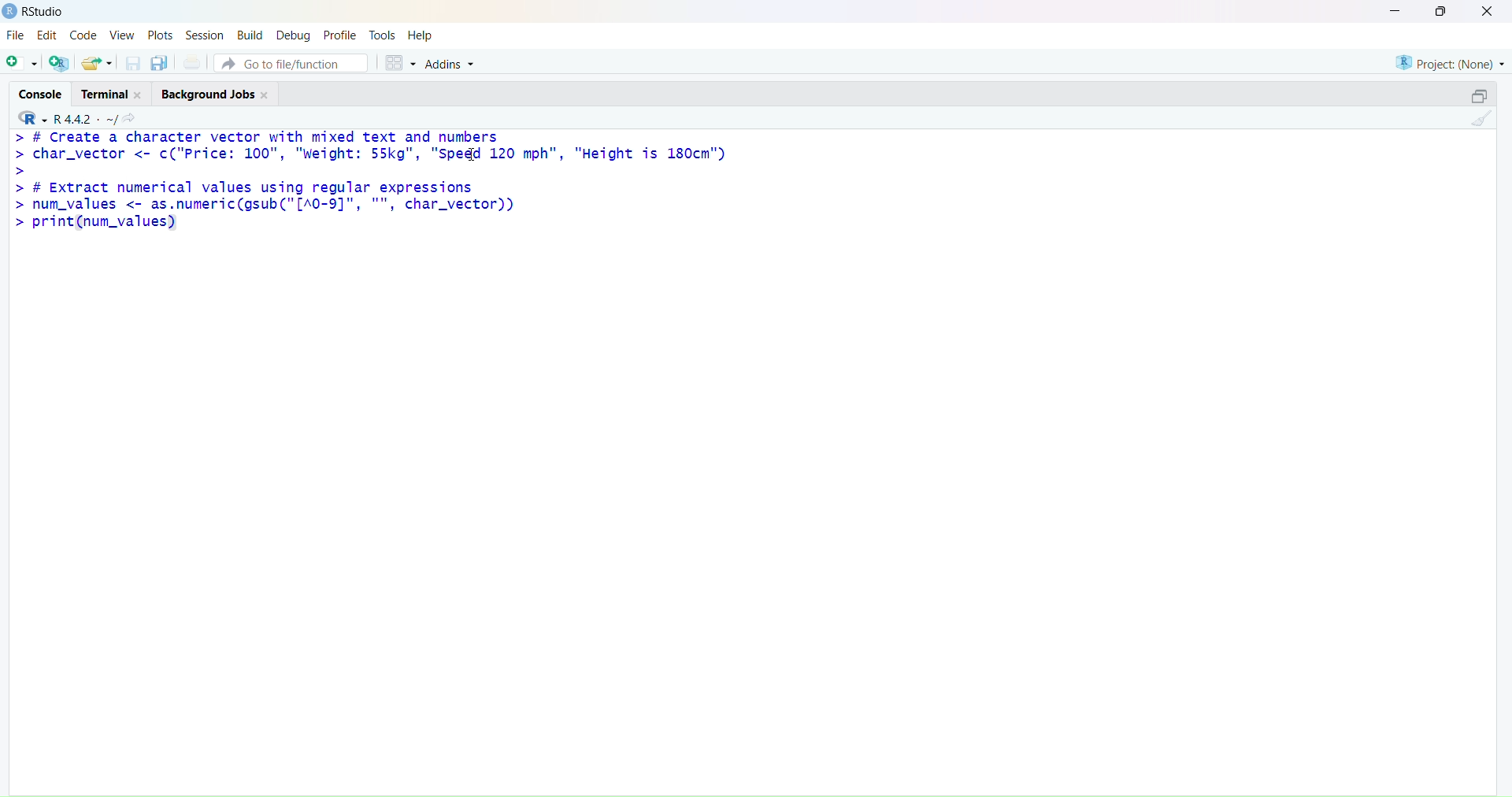  Describe the element at coordinates (41, 95) in the screenshot. I see `cosole` at that location.